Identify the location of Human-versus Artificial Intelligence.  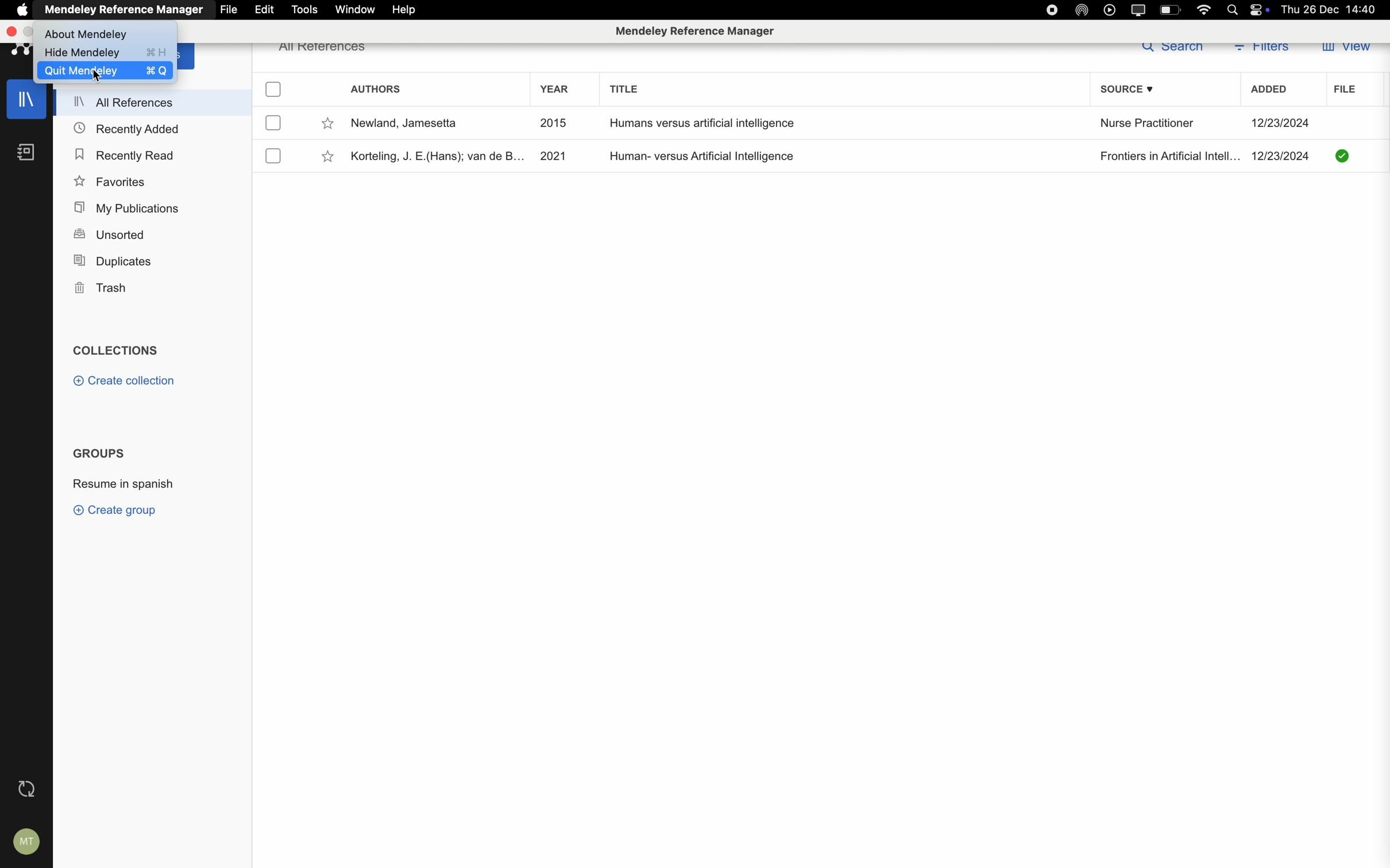
(705, 156).